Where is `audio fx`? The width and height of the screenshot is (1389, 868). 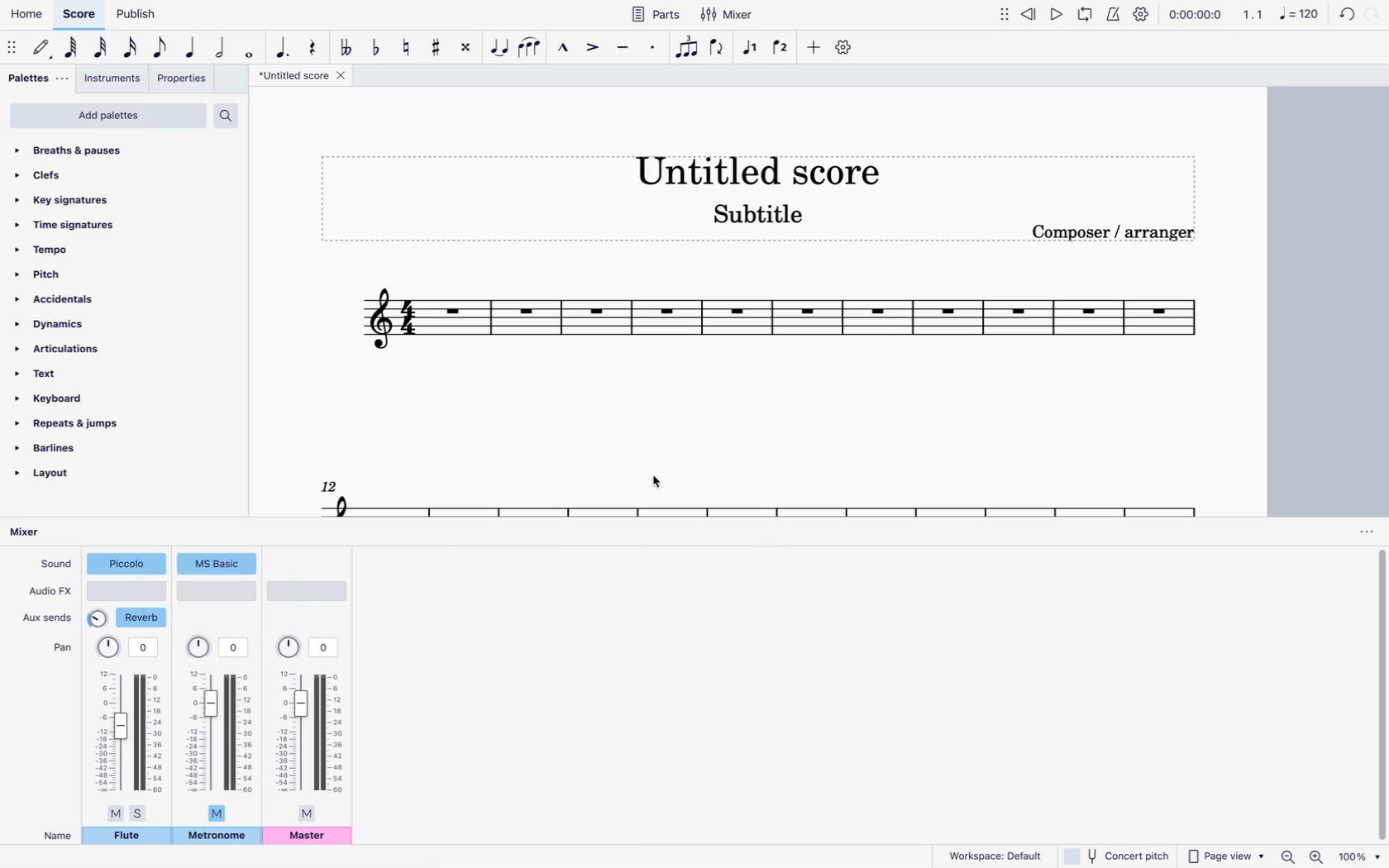
audio fx is located at coordinates (50, 591).